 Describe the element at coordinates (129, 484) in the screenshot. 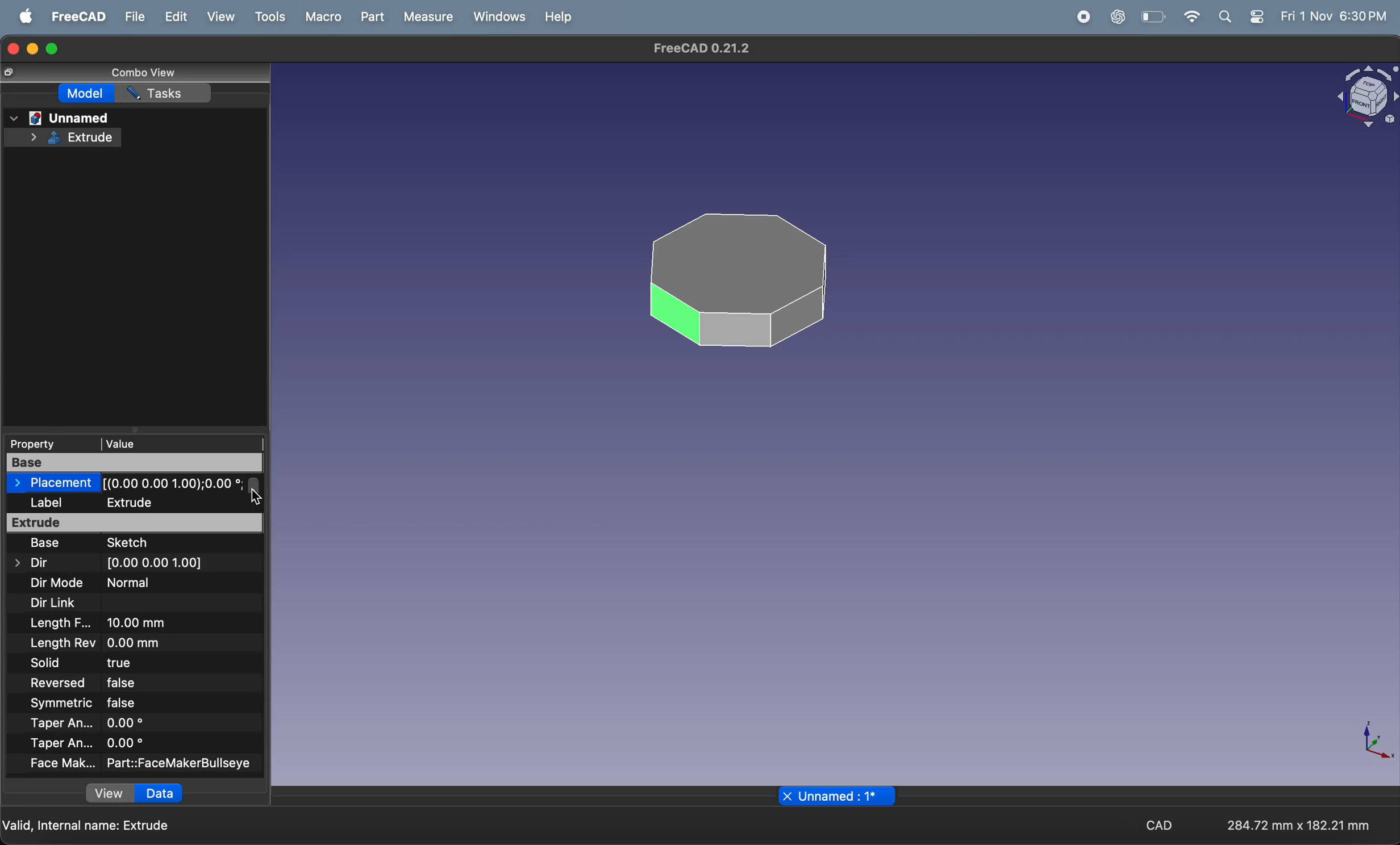

I see `Placement [(0.00 0.00 1.00):0.00` at that location.